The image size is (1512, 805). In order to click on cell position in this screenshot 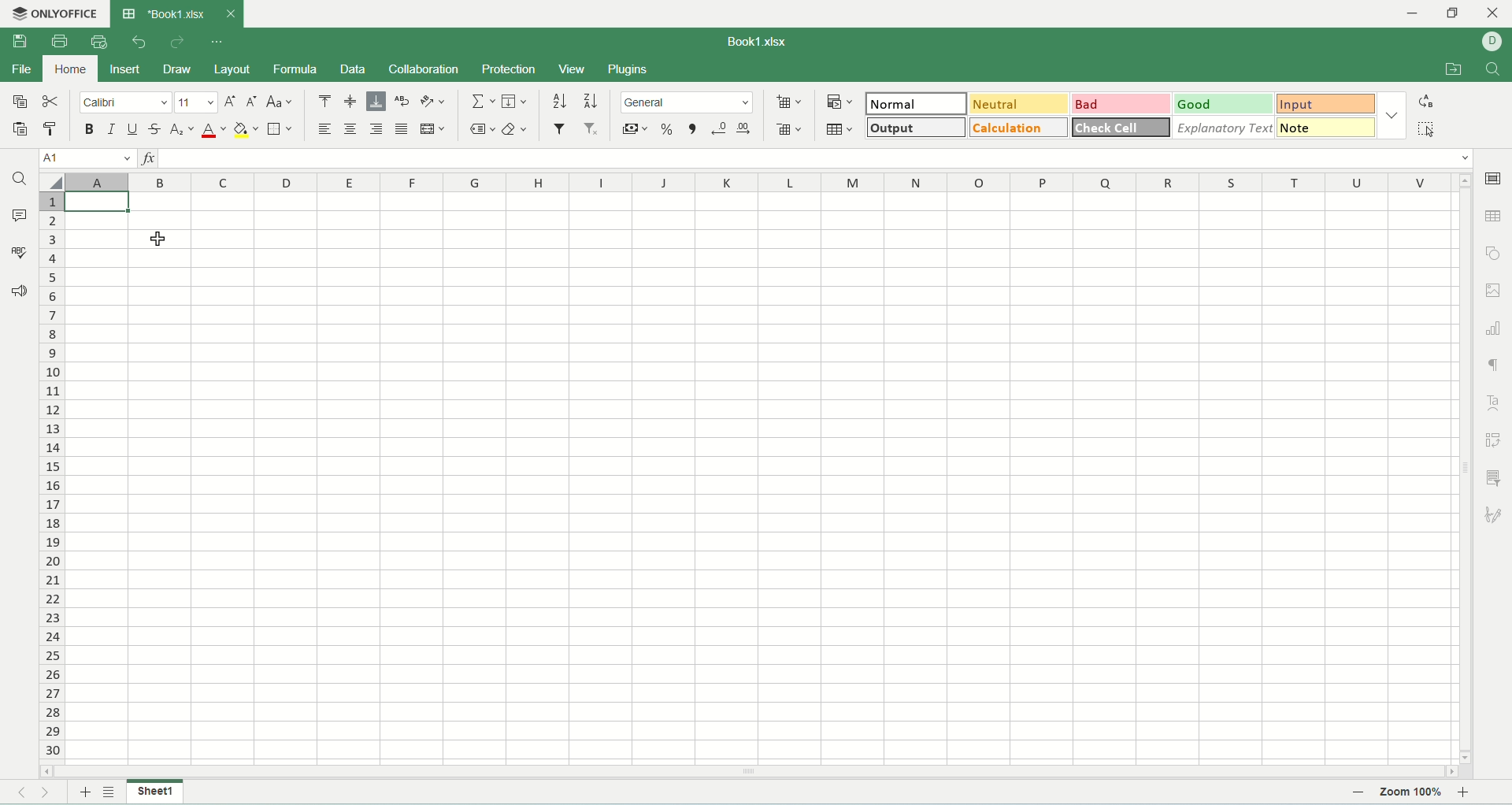, I will do `click(86, 159)`.